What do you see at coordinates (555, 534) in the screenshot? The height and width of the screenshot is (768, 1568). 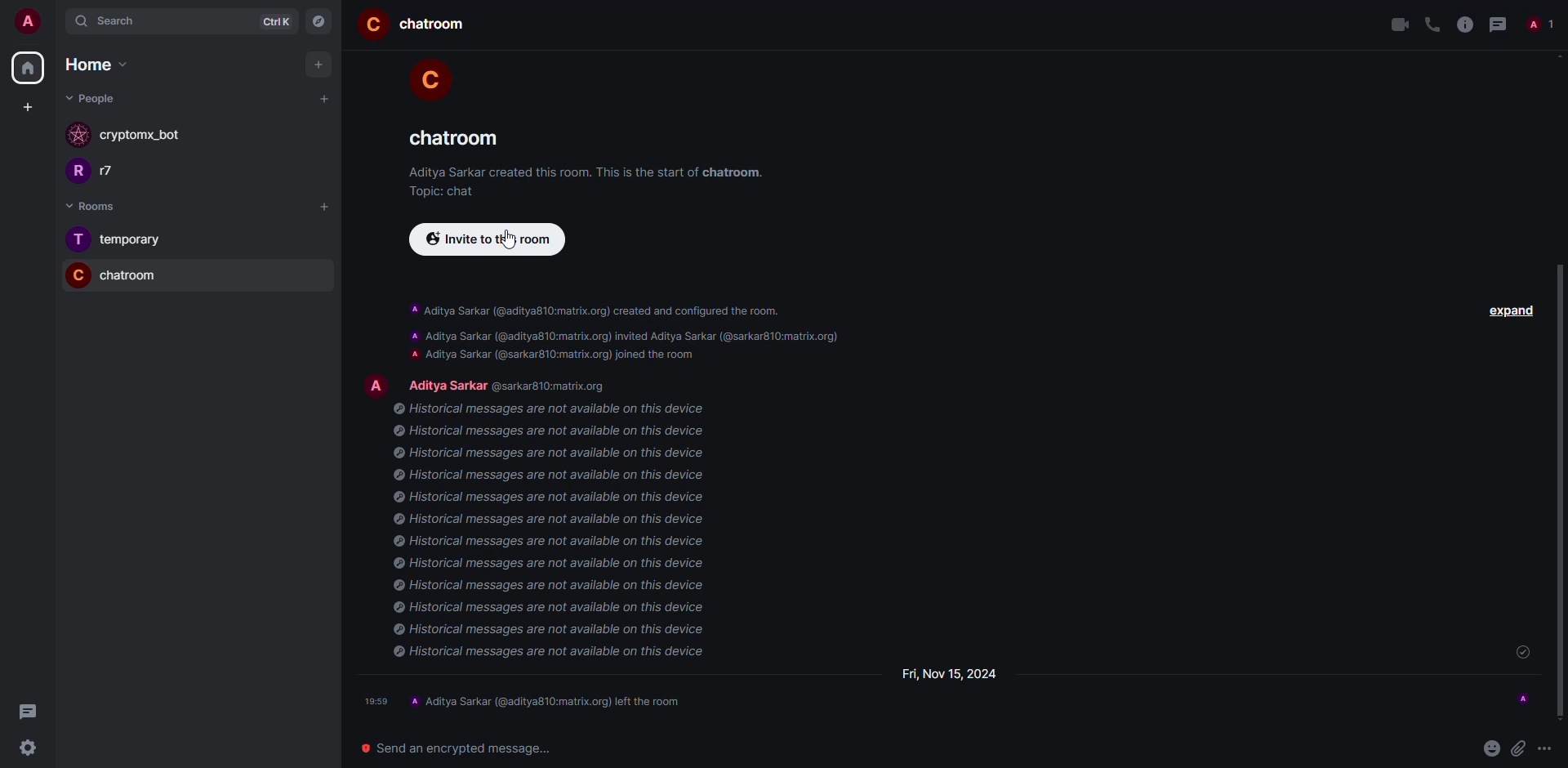 I see `info` at bounding box center [555, 534].